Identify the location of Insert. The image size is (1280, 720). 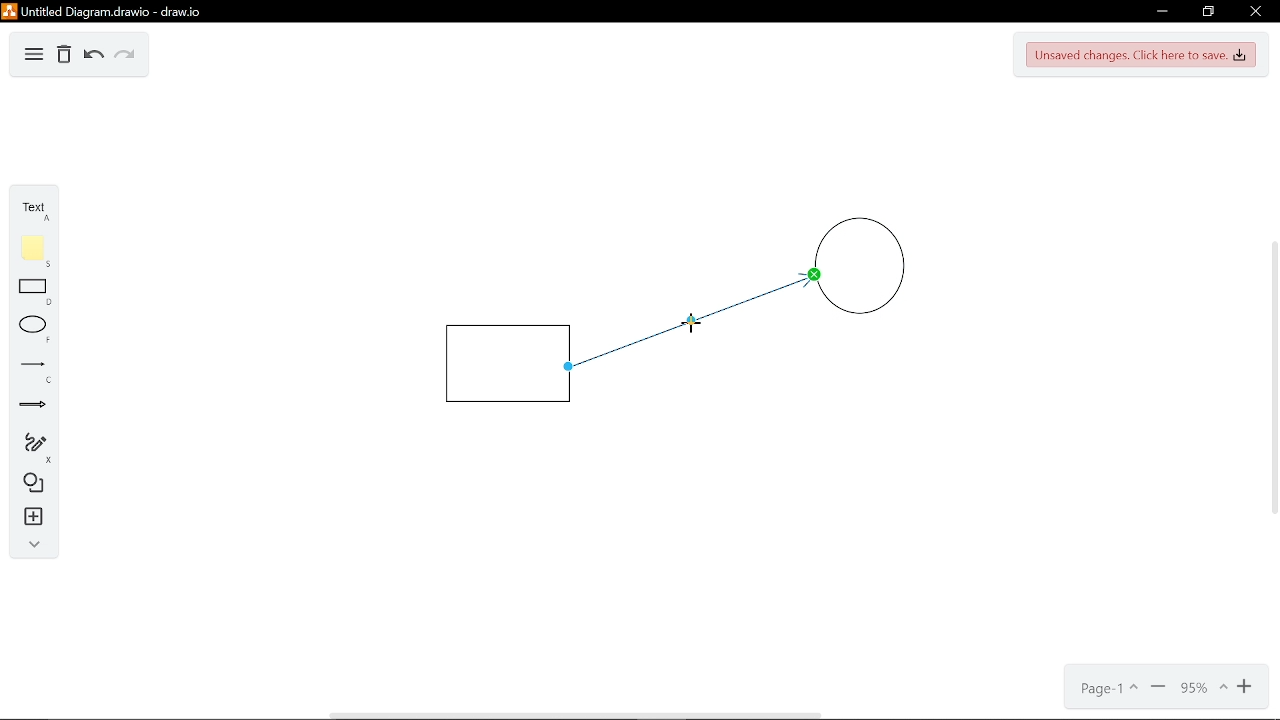
(29, 517).